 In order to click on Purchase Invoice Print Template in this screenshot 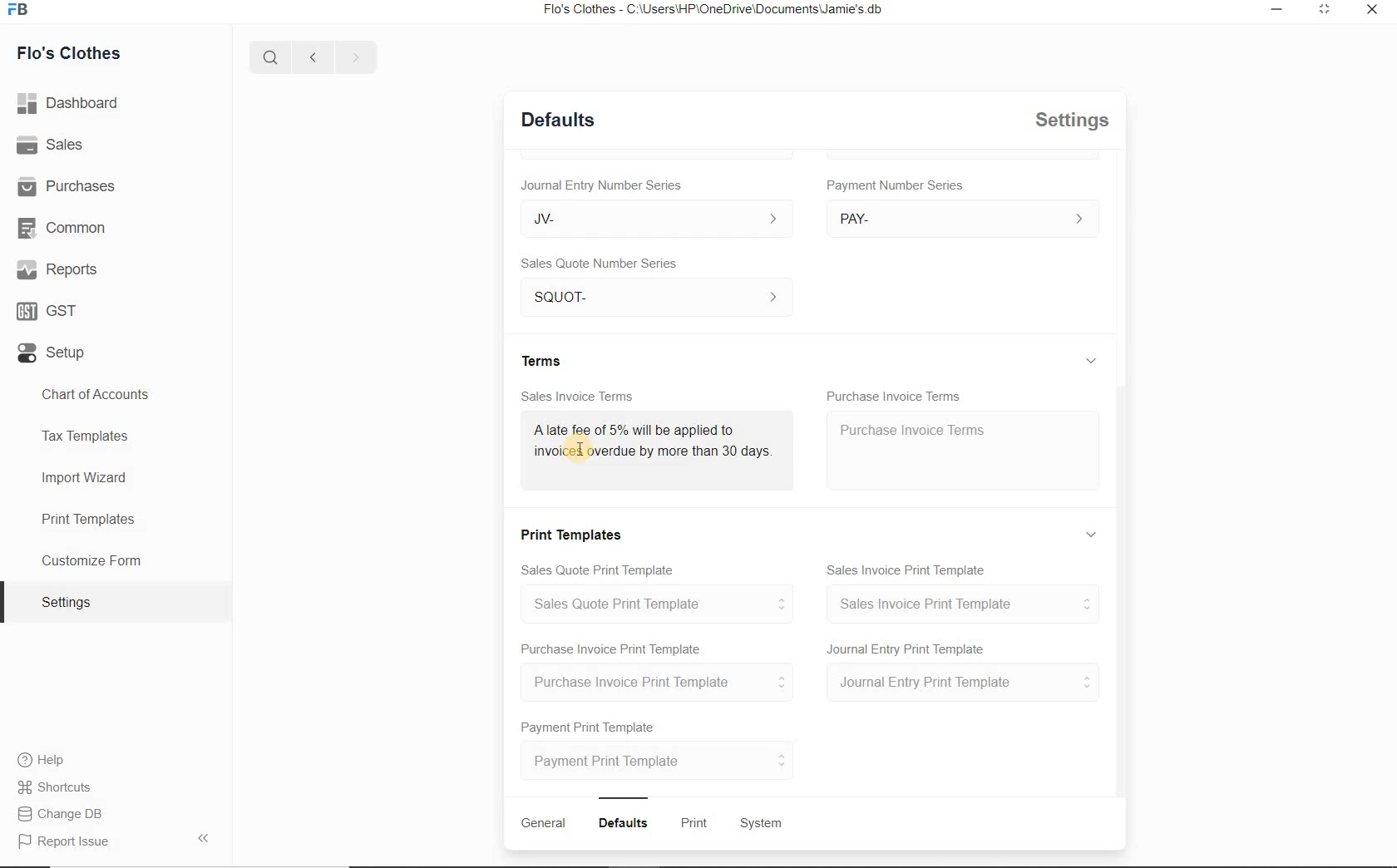, I will do `click(610, 648)`.